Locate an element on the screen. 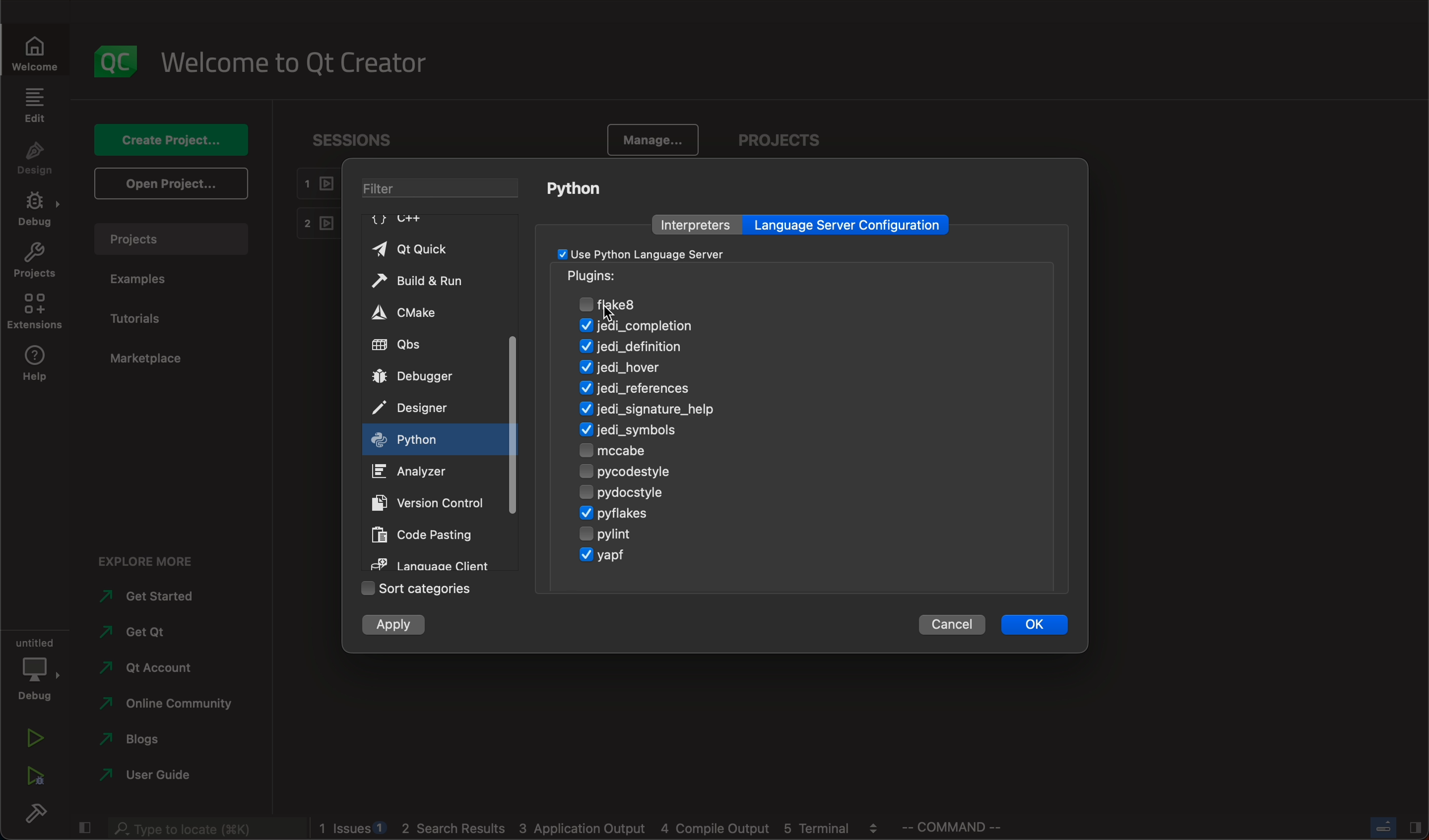  definition is located at coordinates (653, 346).